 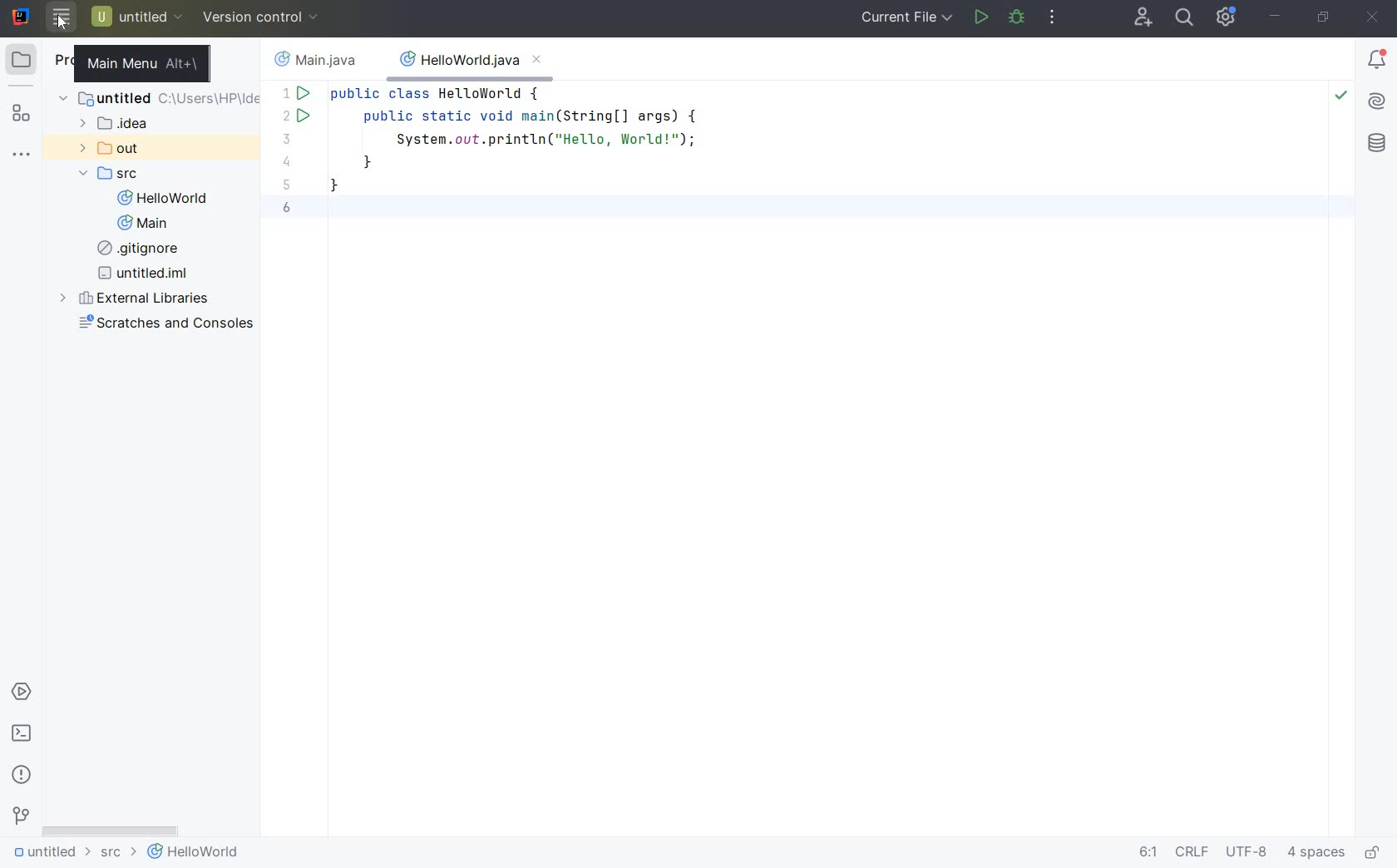 What do you see at coordinates (1341, 97) in the screenshot?
I see `Highlight: All Problems` at bounding box center [1341, 97].